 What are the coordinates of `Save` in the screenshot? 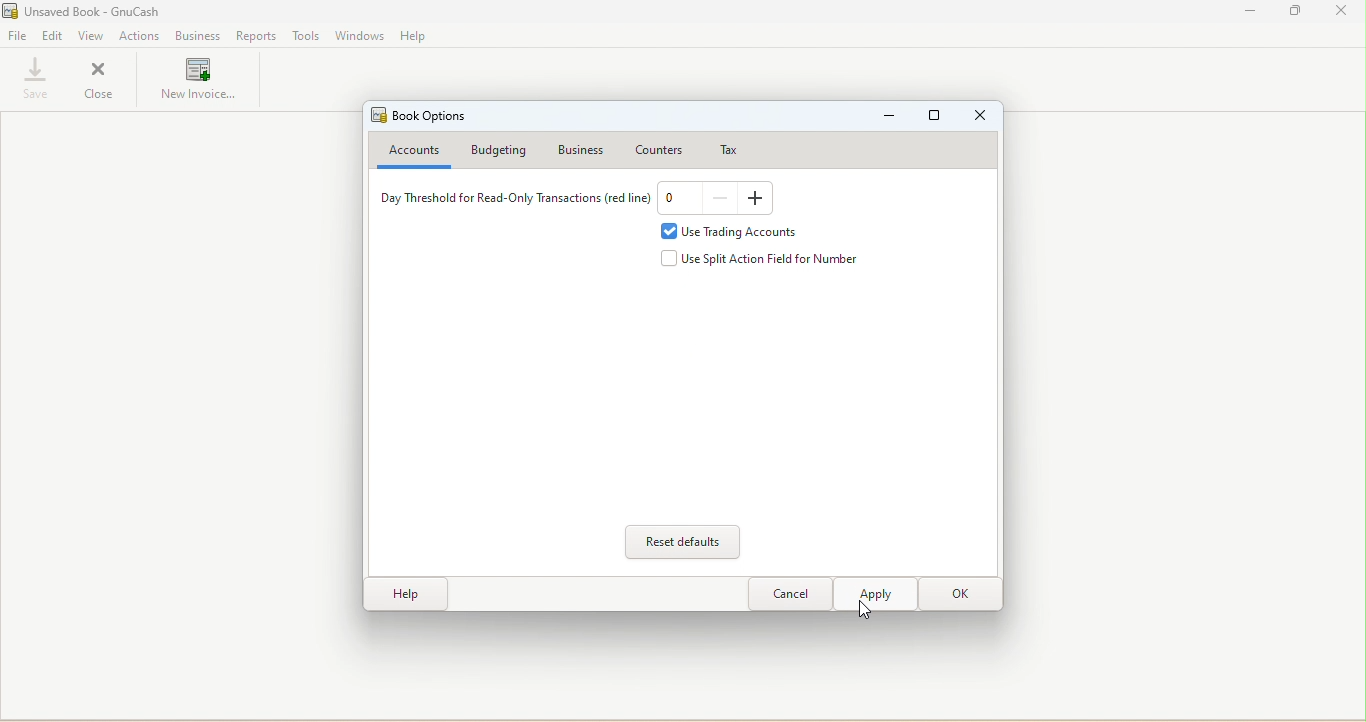 It's located at (31, 78).